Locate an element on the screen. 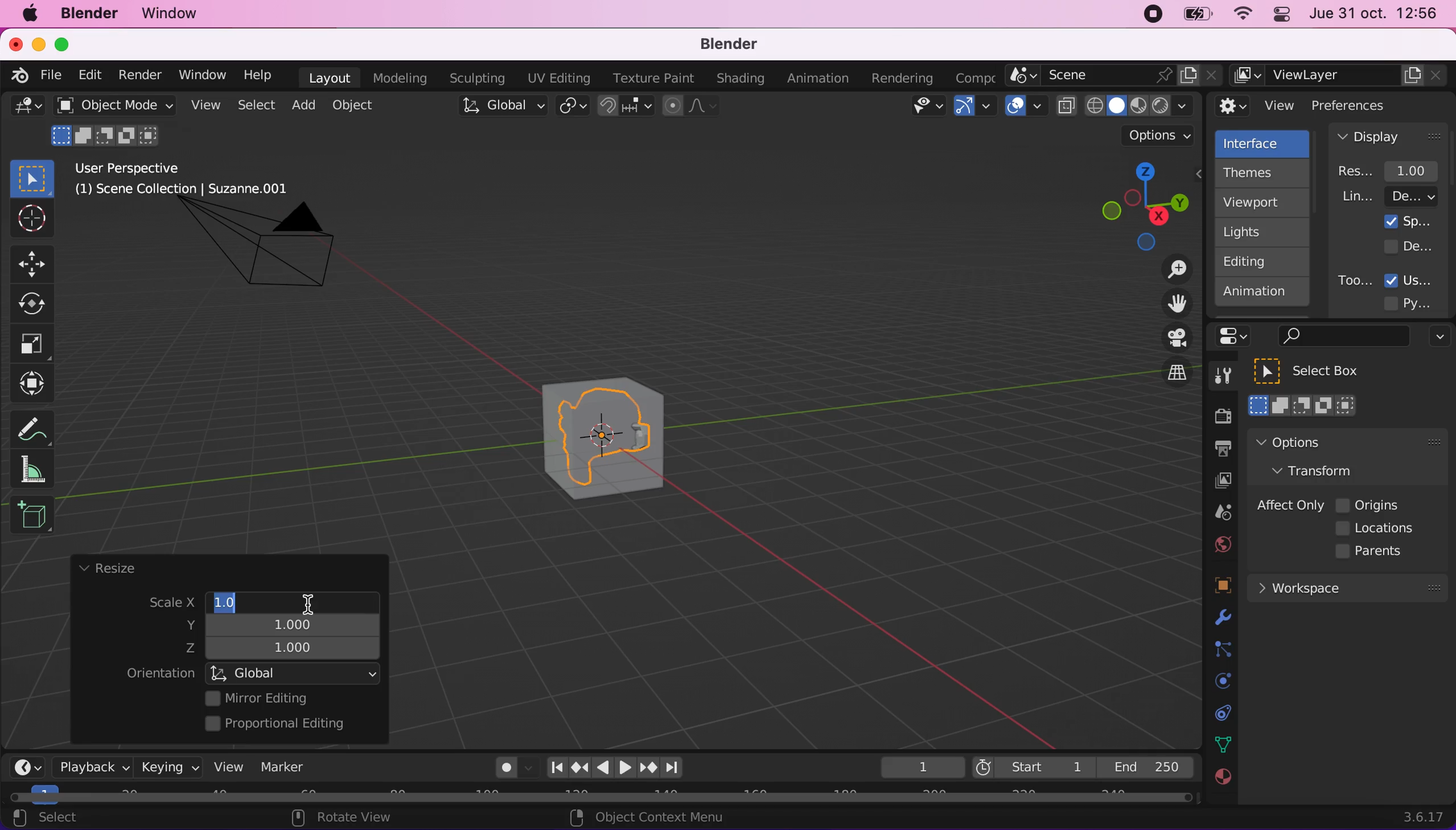  maximize is located at coordinates (68, 44).